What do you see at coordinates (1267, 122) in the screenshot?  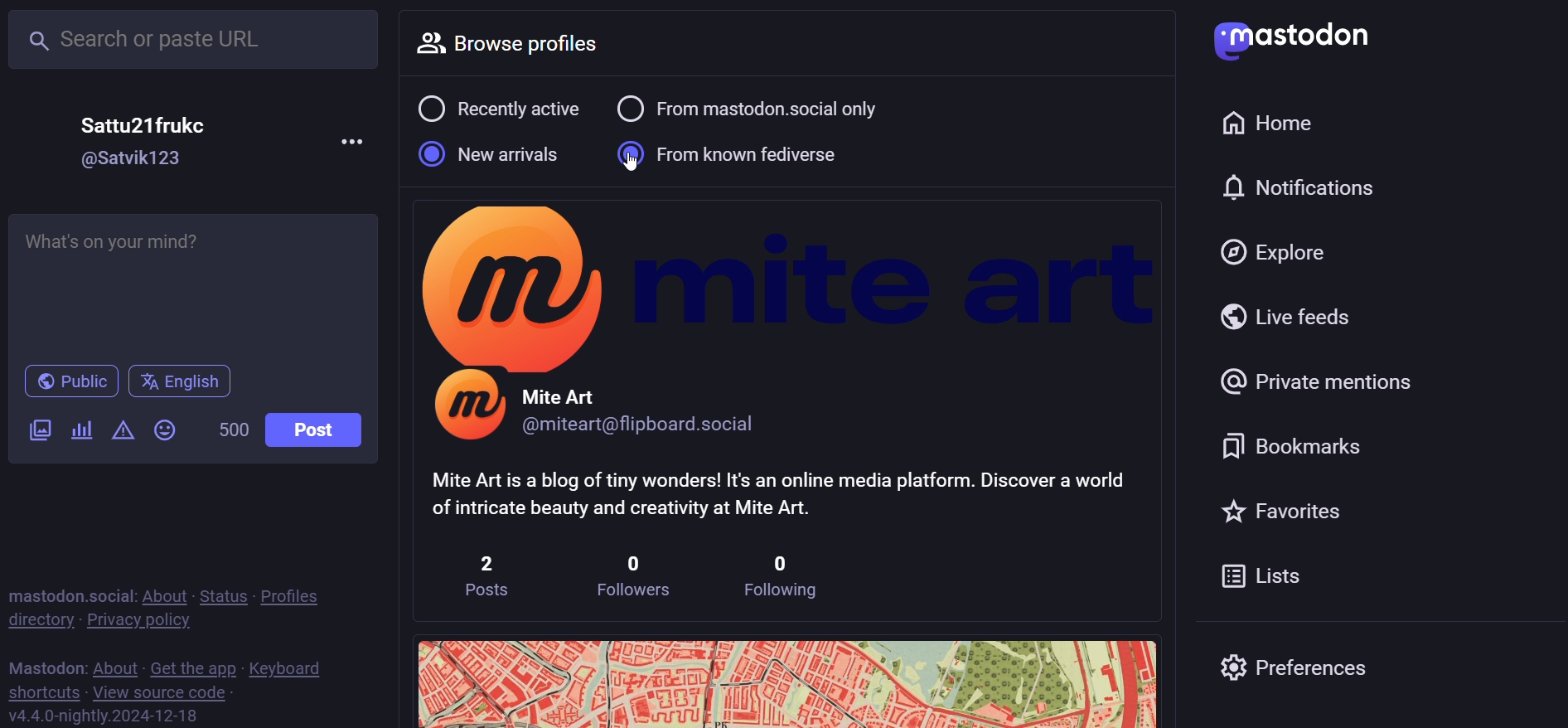 I see `home` at bounding box center [1267, 122].